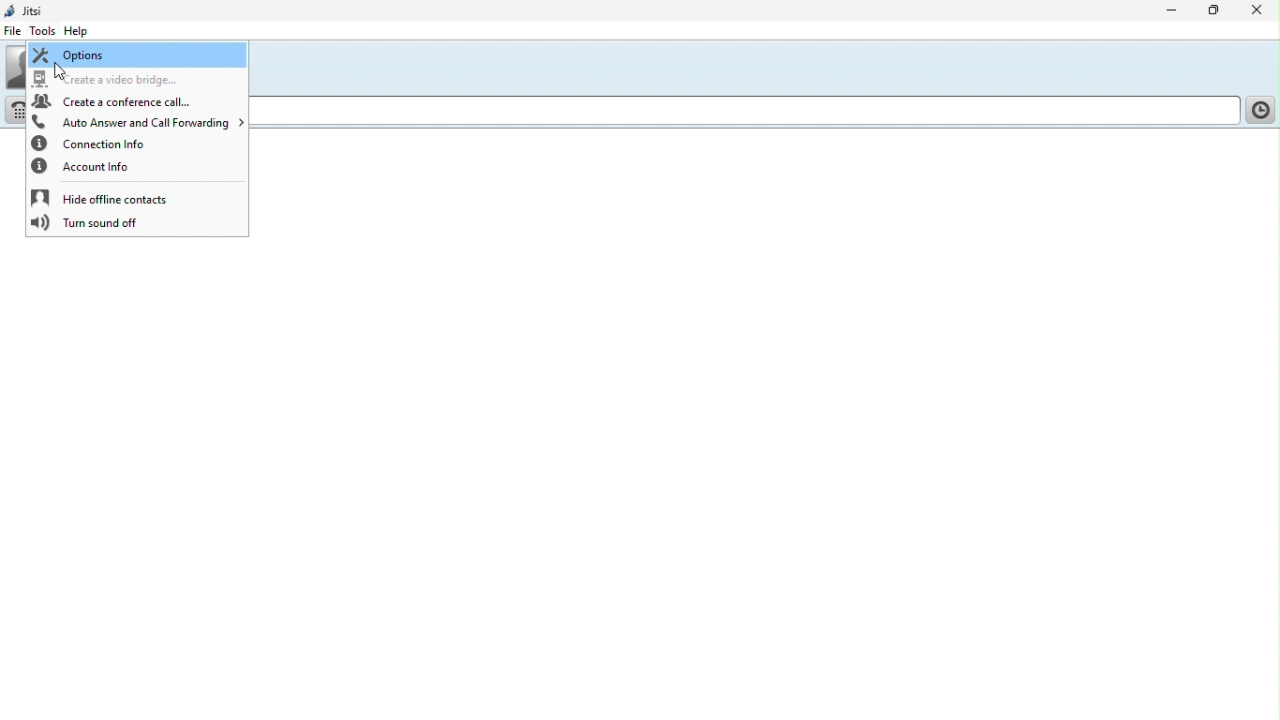 The image size is (1280, 720). Describe the element at coordinates (131, 79) in the screenshot. I see `Create a video Bridge` at that location.